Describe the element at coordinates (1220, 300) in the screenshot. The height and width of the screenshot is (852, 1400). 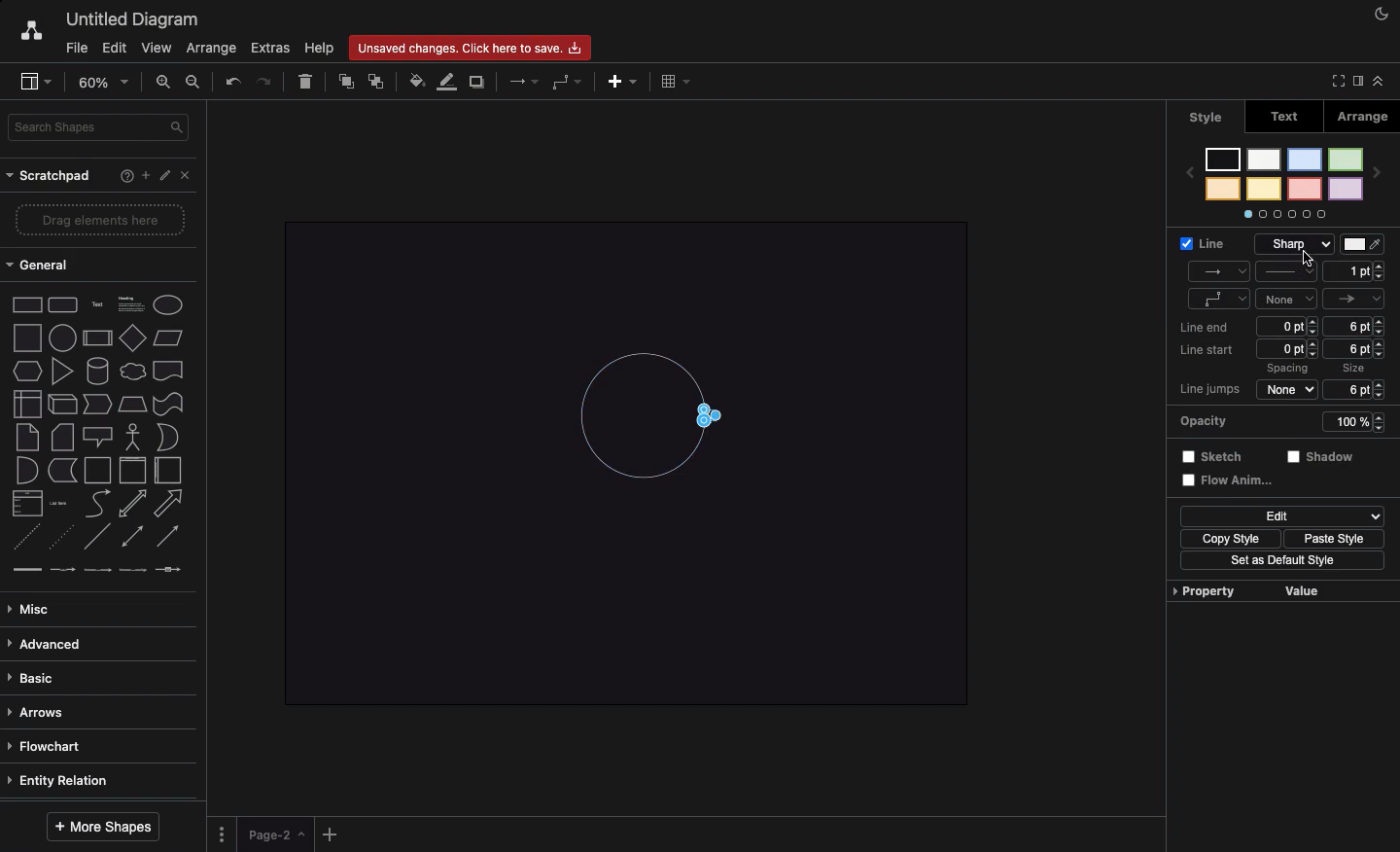
I see `Waypoint` at that location.